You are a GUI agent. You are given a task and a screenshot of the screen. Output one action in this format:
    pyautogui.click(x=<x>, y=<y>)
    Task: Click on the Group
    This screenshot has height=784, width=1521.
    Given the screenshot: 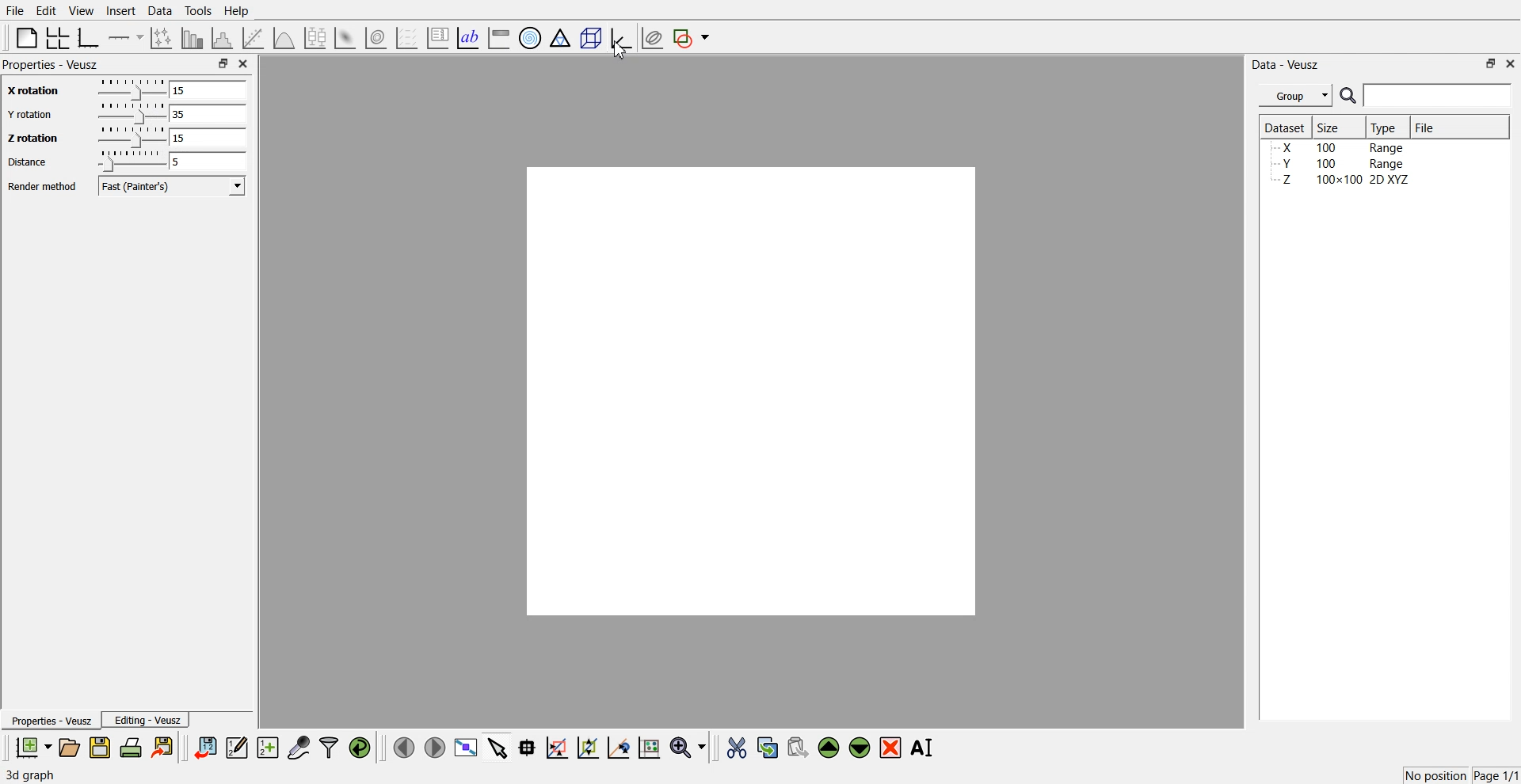 What is the action you would take?
    pyautogui.click(x=1296, y=96)
    